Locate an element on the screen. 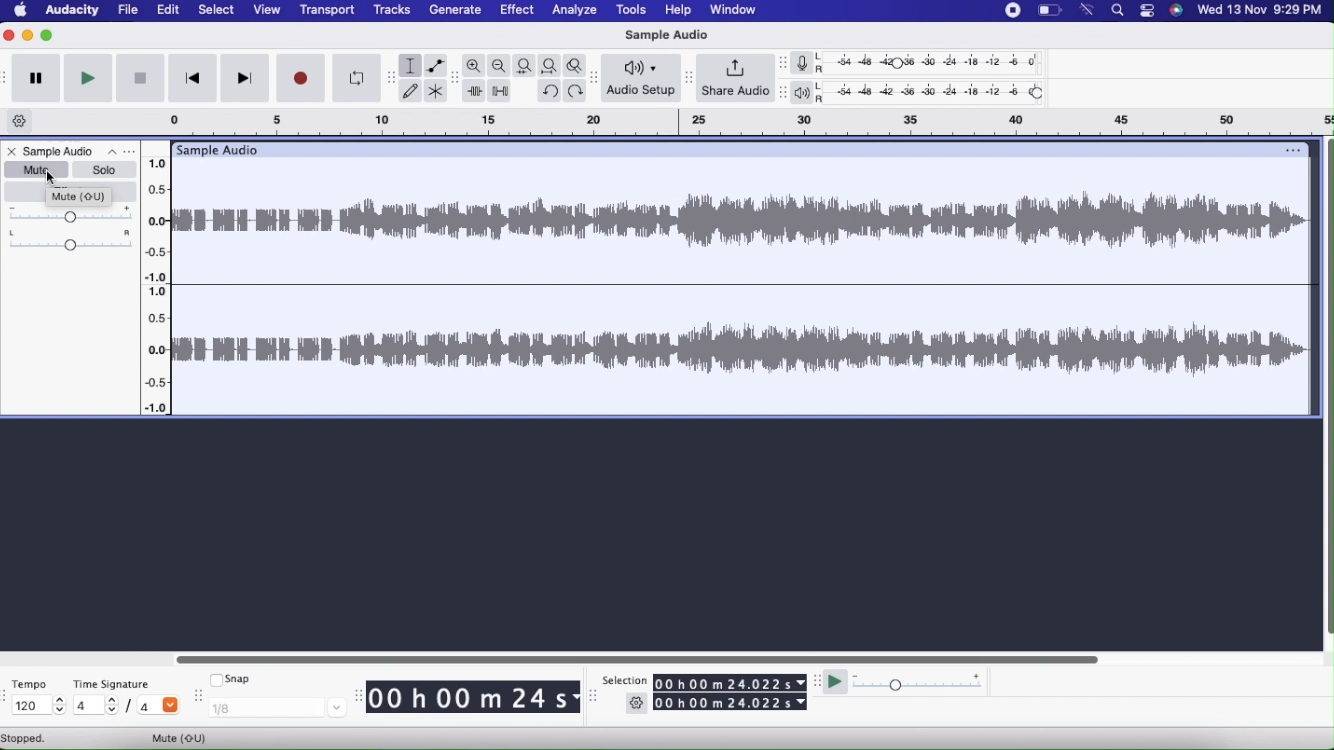  Play is located at coordinates (89, 79).